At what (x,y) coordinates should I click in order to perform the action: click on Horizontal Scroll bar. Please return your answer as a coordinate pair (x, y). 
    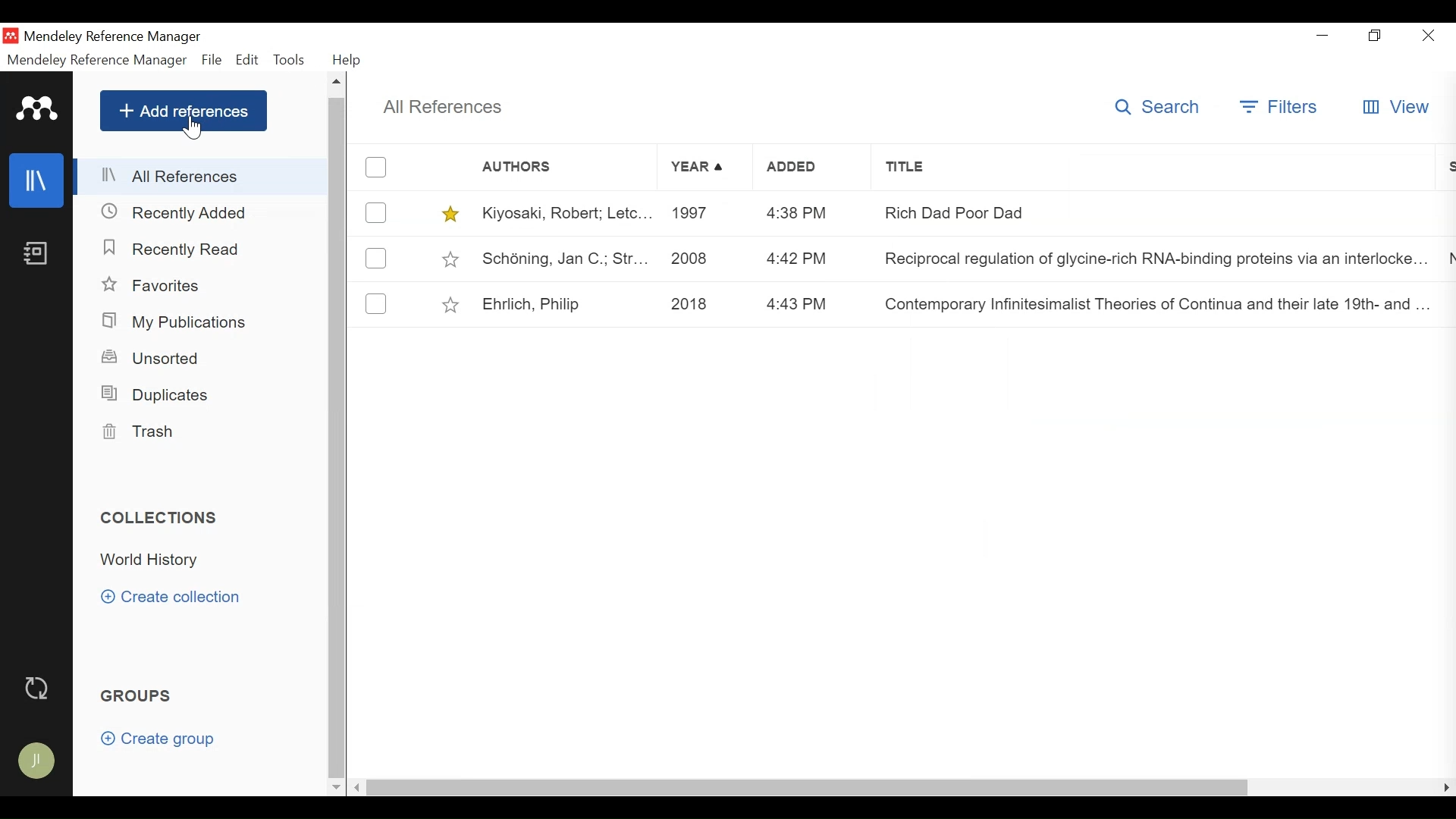
    Looking at the image, I should click on (808, 788).